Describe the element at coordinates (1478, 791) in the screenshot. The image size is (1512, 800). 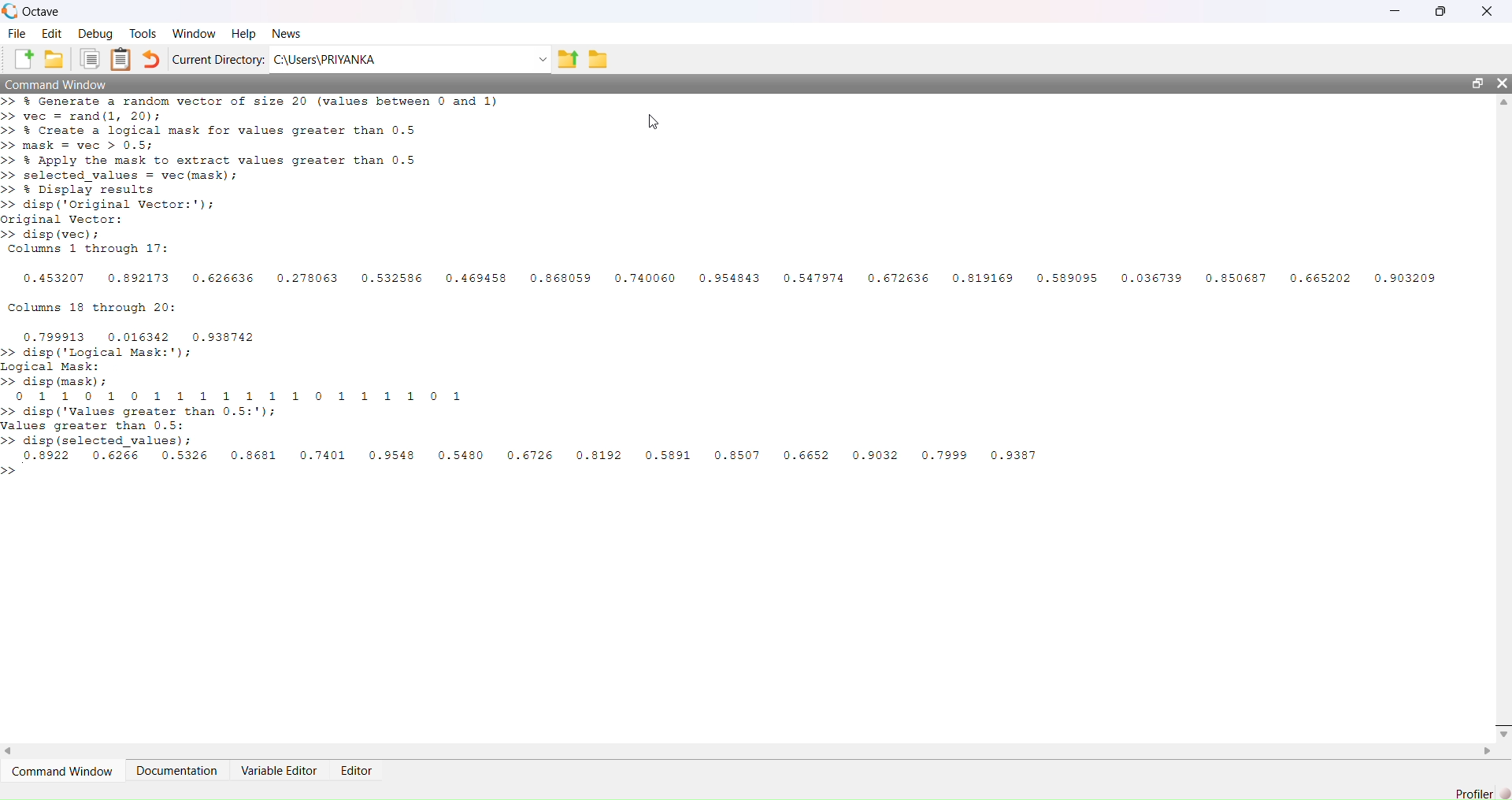
I see `Profiler` at that location.